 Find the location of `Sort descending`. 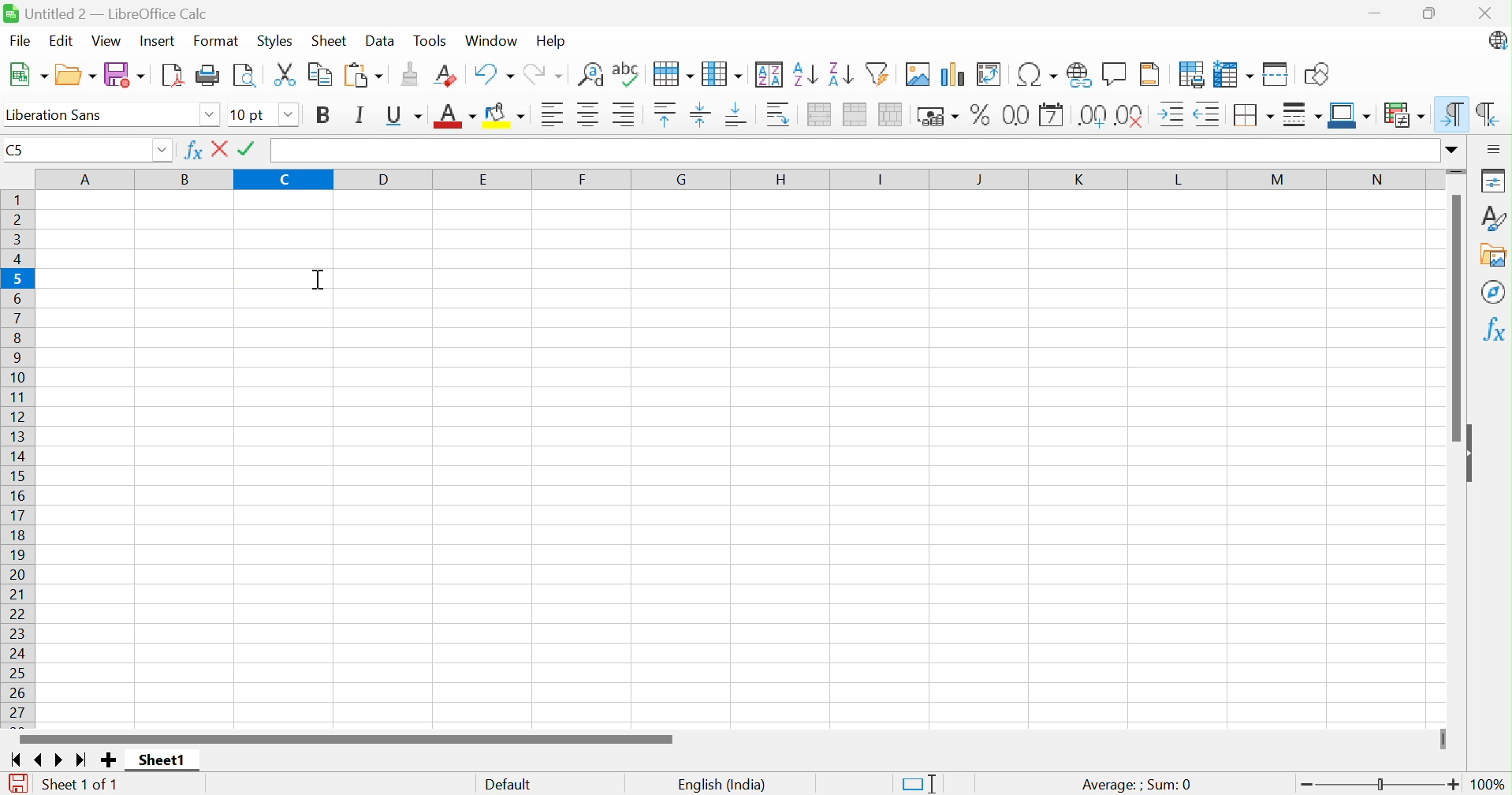

Sort descending is located at coordinates (841, 74).